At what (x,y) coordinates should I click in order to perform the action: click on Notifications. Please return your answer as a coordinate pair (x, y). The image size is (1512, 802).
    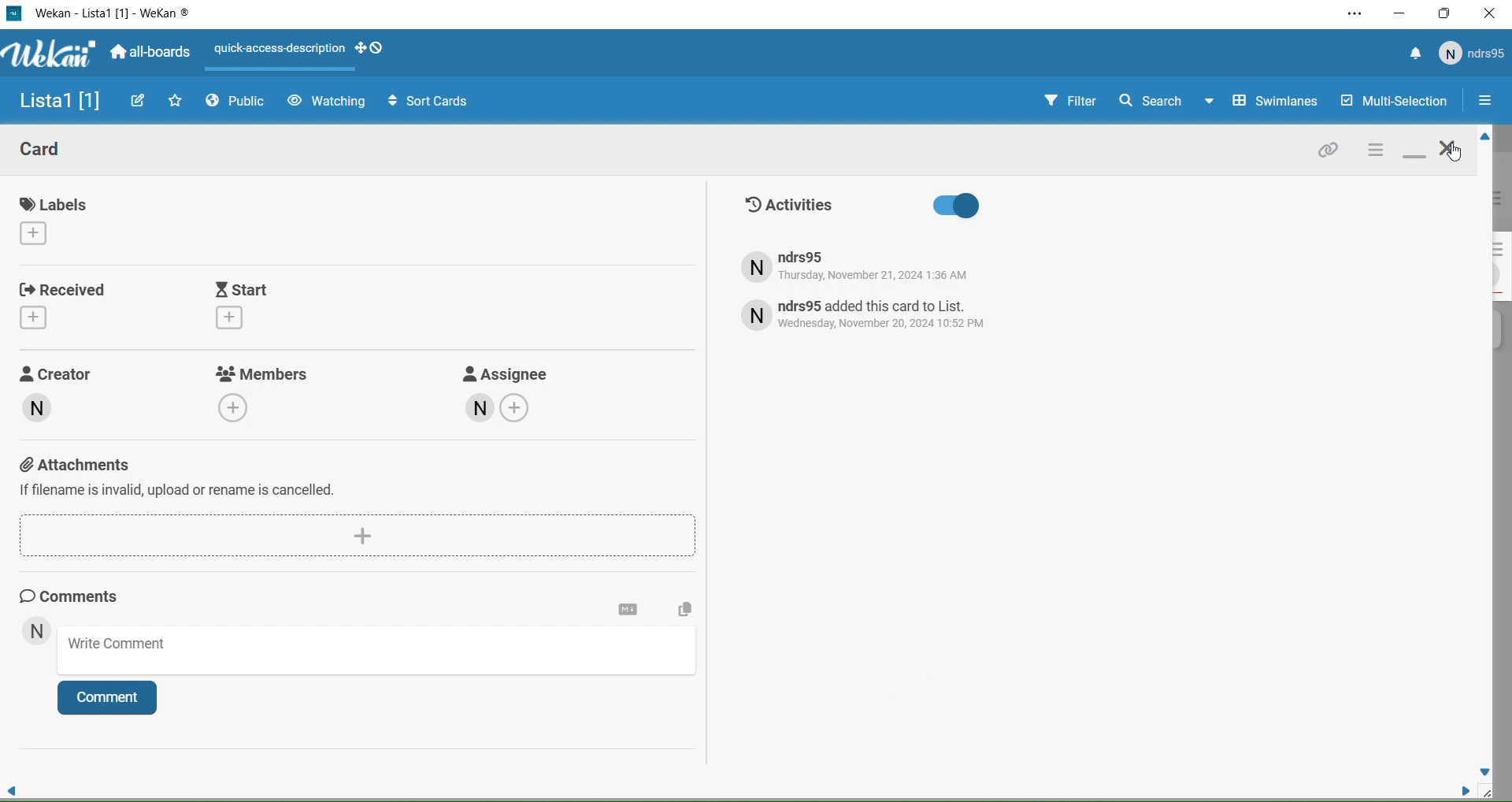
    Looking at the image, I should click on (1415, 55).